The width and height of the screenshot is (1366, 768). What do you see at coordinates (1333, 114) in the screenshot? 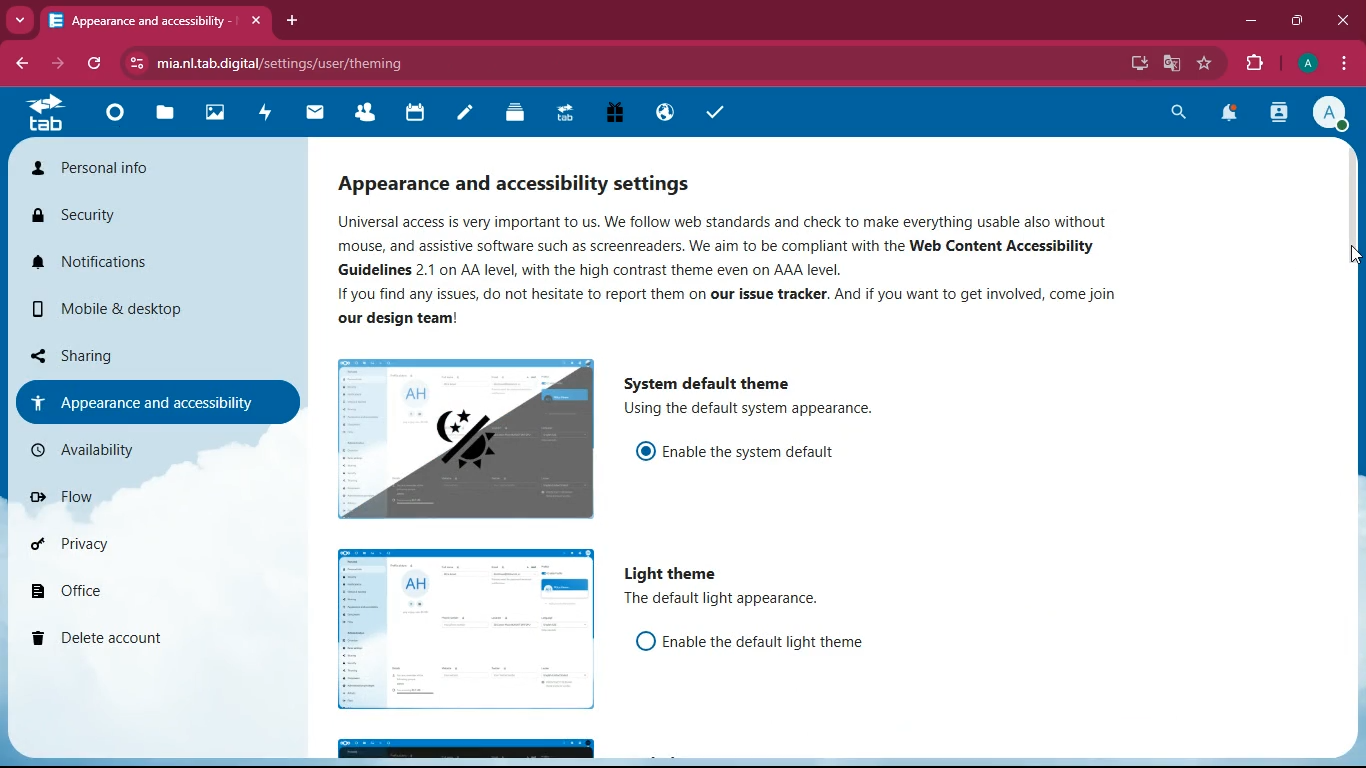
I see `profile` at bounding box center [1333, 114].